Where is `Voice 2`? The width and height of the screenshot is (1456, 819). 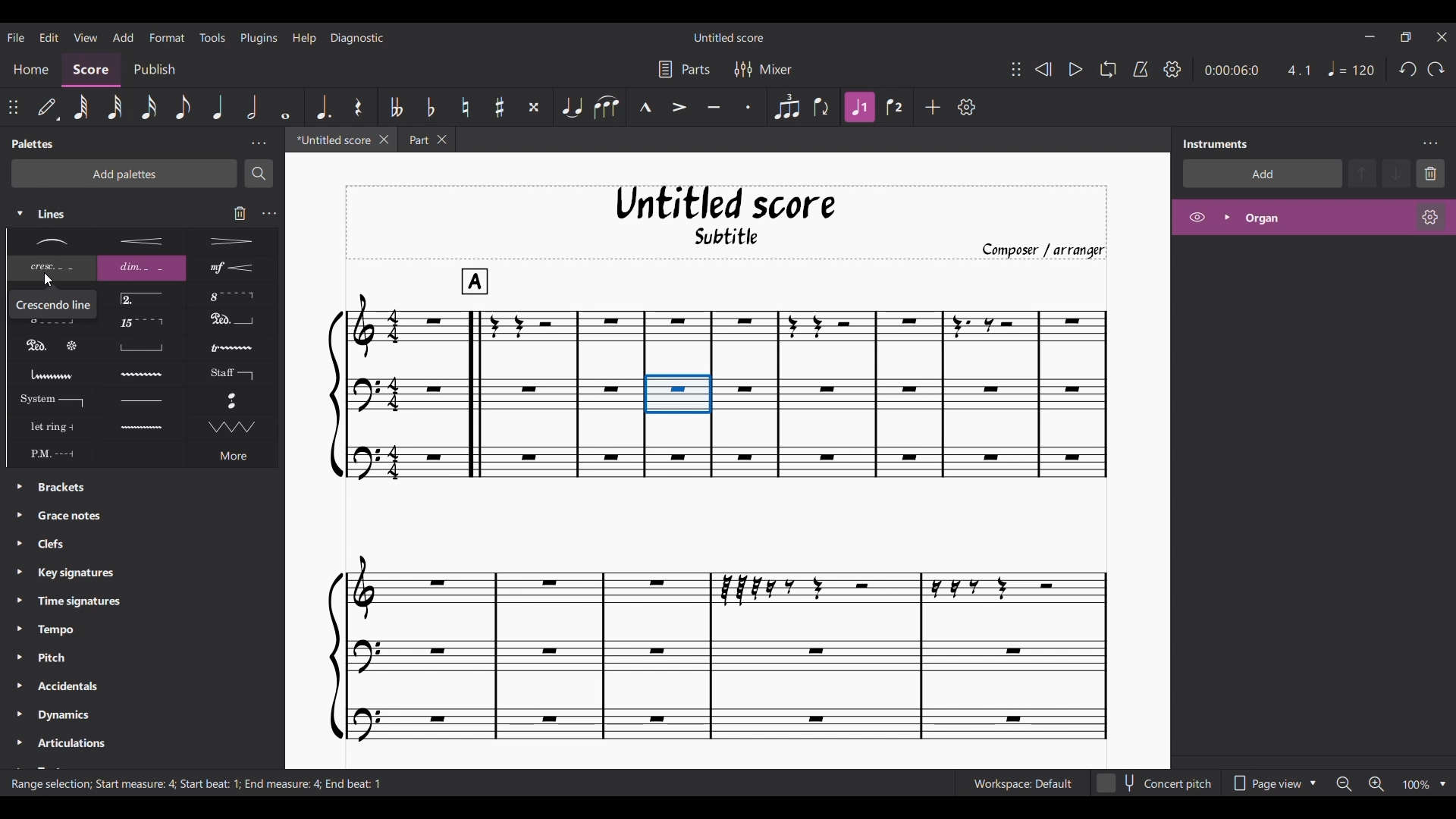
Voice 2 is located at coordinates (894, 107).